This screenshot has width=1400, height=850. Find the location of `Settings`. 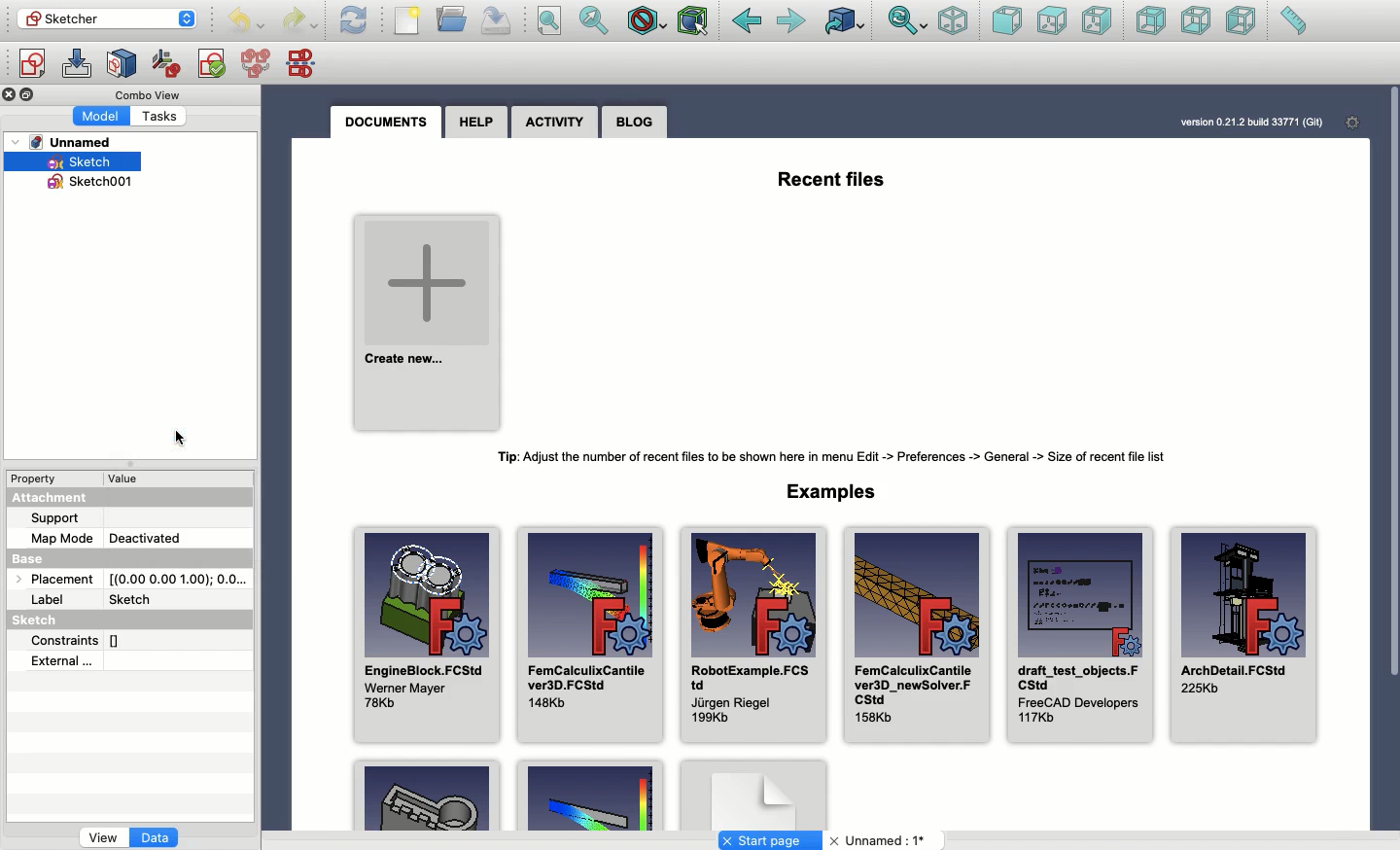

Settings is located at coordinates (1347, 122).